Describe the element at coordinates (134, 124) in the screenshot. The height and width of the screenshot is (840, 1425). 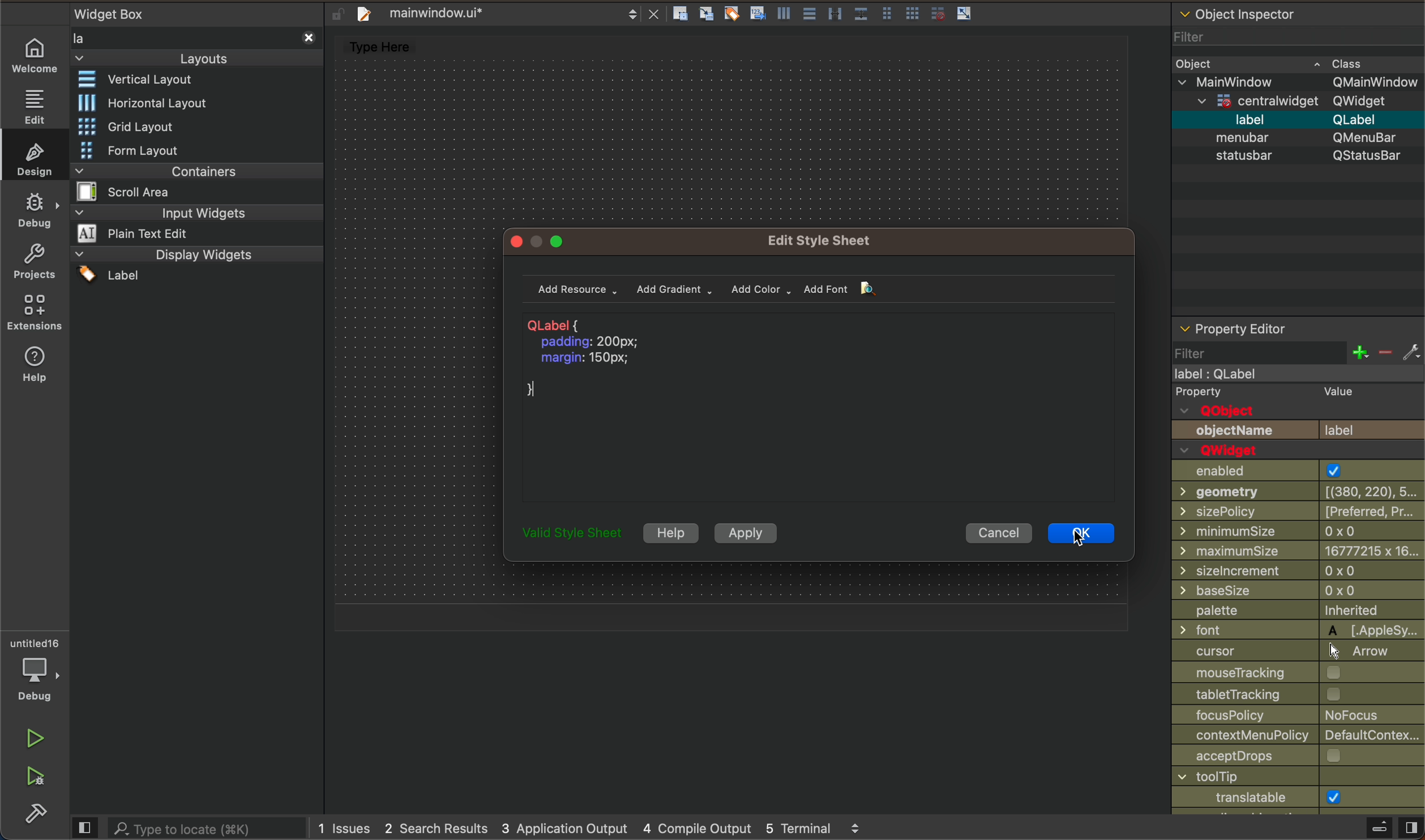
I see `grid layout` at that location.